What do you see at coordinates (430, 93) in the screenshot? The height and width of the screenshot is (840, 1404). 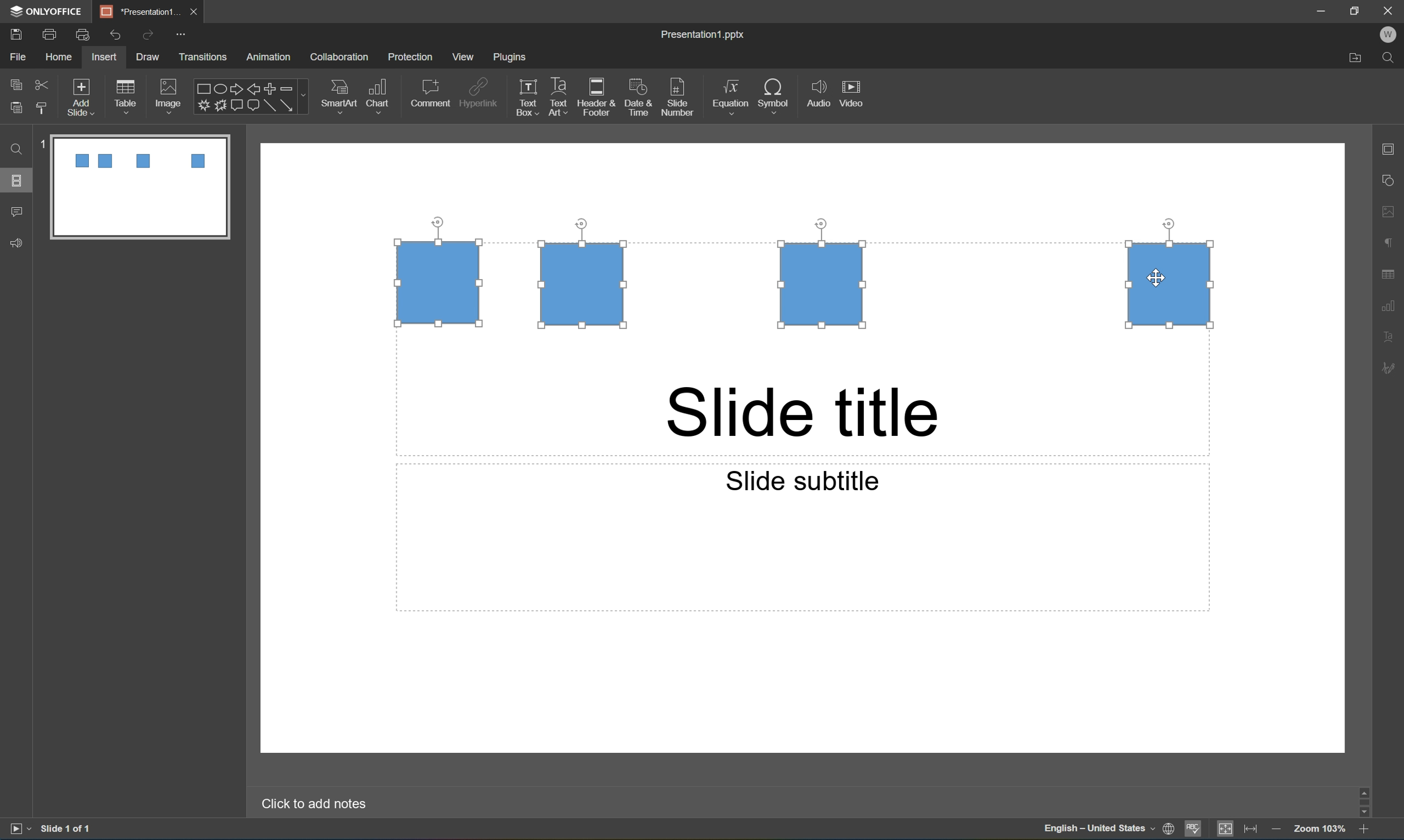 I see `comment` at bounding box center [430, 93].